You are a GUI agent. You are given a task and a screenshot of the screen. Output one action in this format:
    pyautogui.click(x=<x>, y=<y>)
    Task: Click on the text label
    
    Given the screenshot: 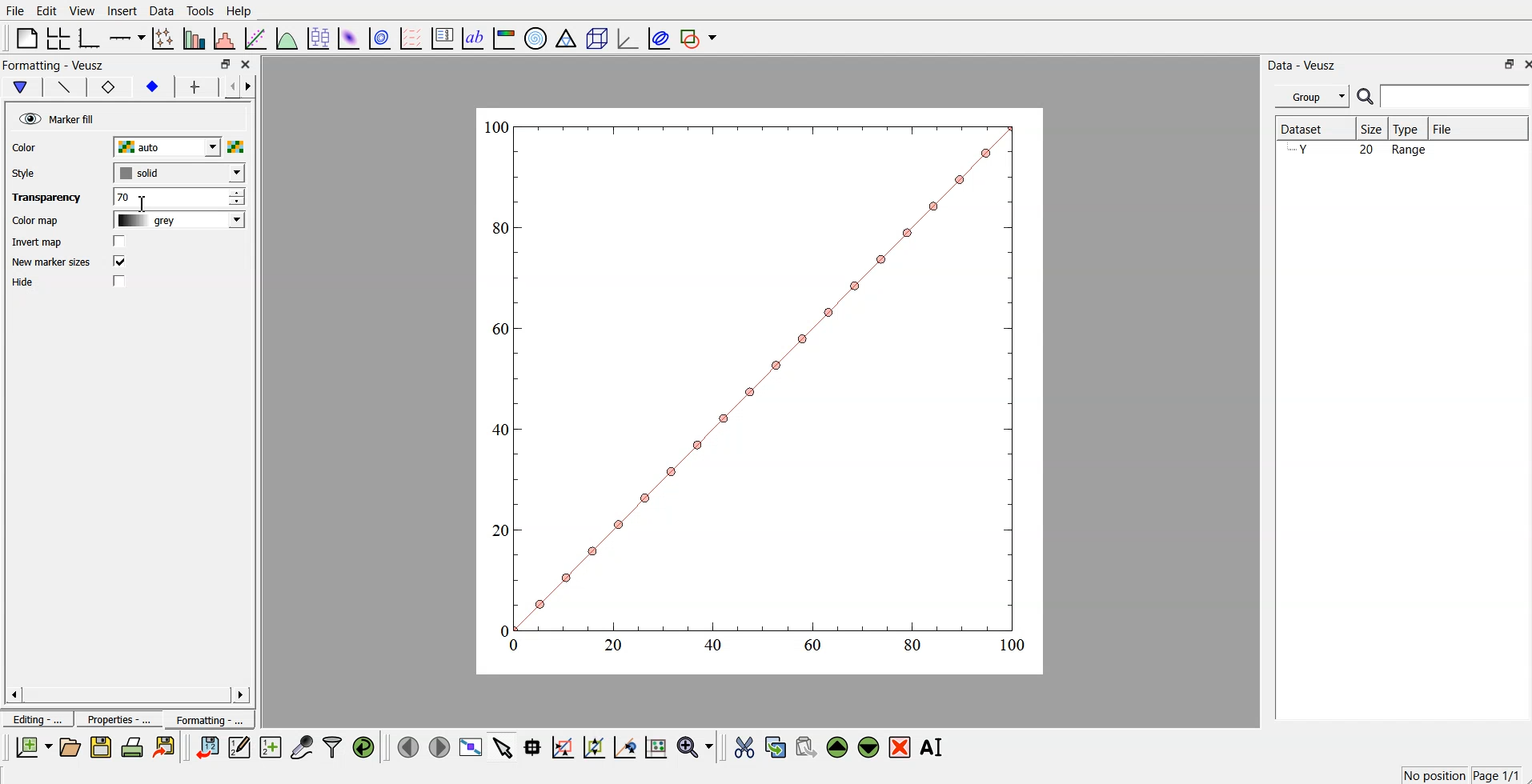 What is the action you would take?
    pyautogui.click(x=473, y=38)
    